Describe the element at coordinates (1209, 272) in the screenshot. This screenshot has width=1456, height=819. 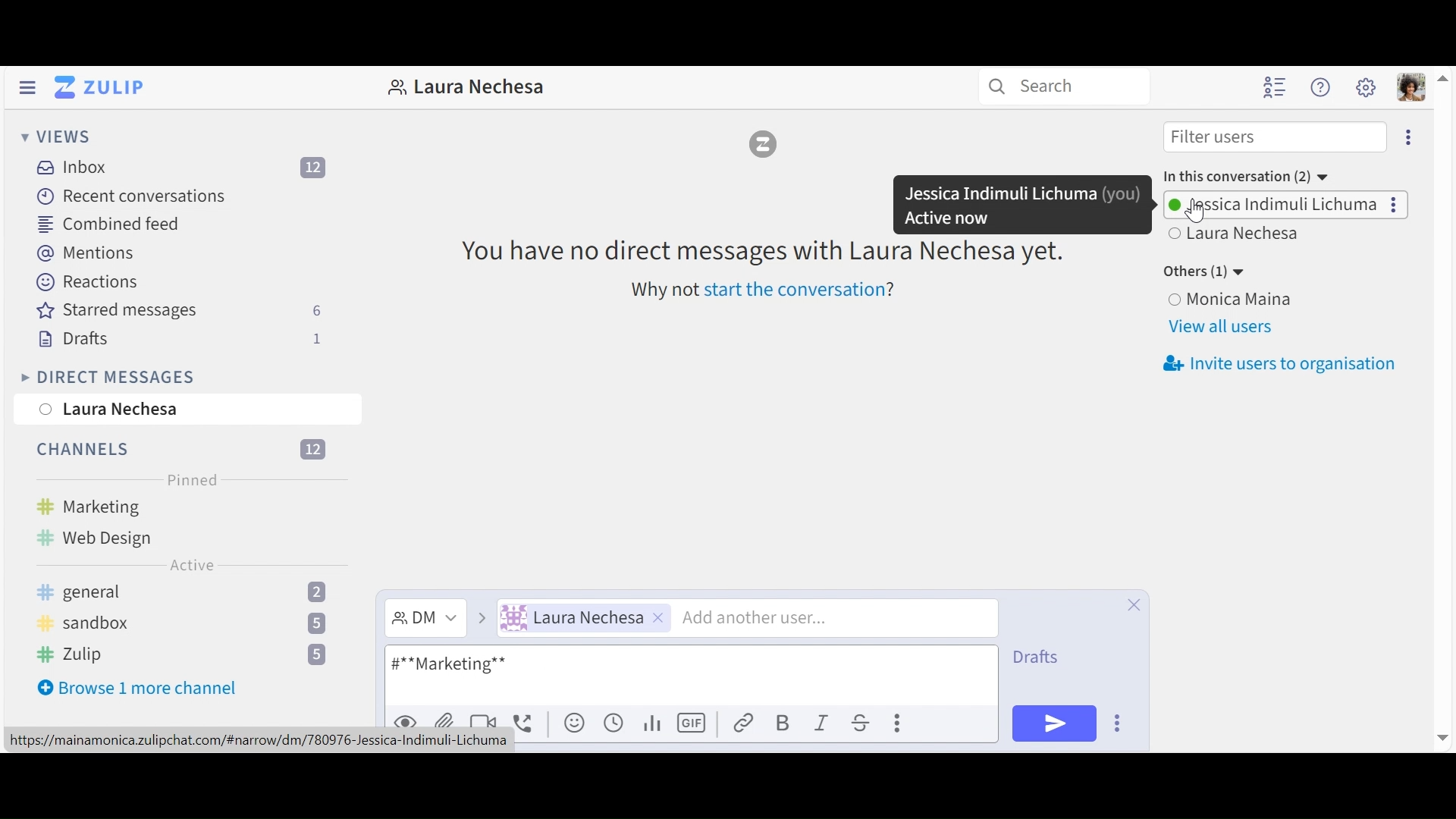
I see `Other users(1)` at that location.